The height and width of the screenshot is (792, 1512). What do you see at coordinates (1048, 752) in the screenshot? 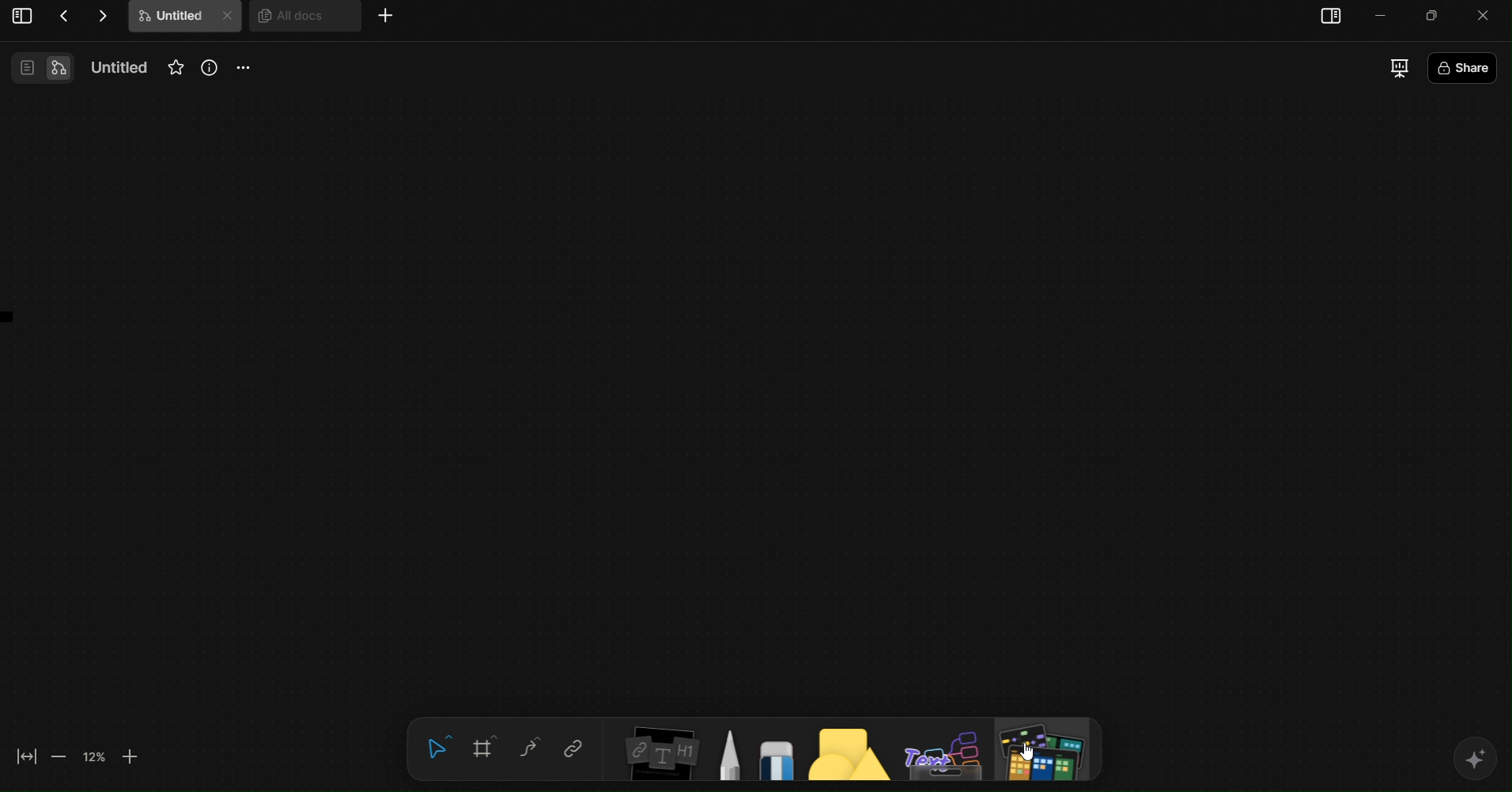
I see `Board/Template Tool` at bounding box center [1048, 752].